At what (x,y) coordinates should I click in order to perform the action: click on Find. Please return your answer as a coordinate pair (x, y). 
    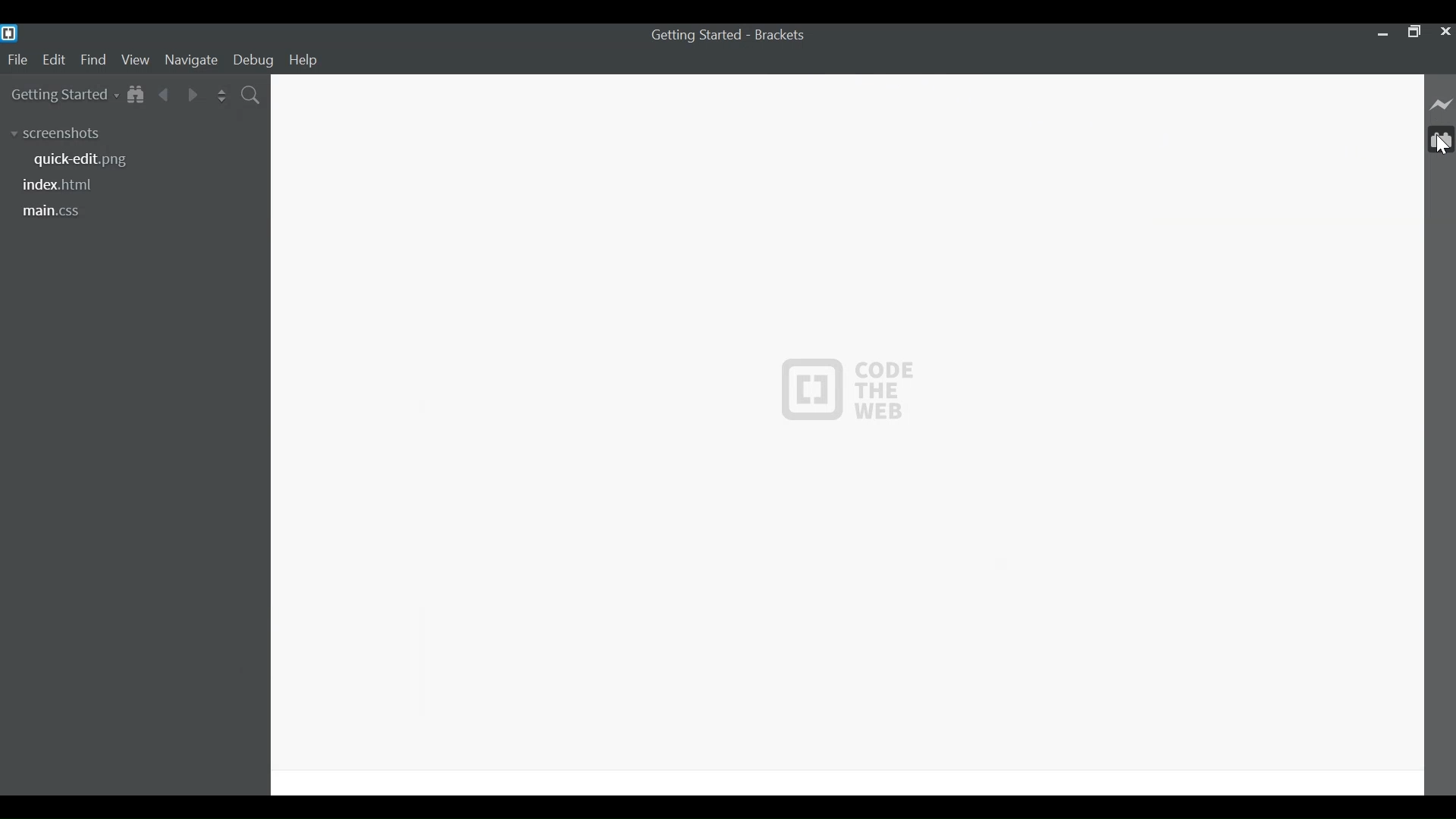
    Looking at the image, I should click on (93, 61).